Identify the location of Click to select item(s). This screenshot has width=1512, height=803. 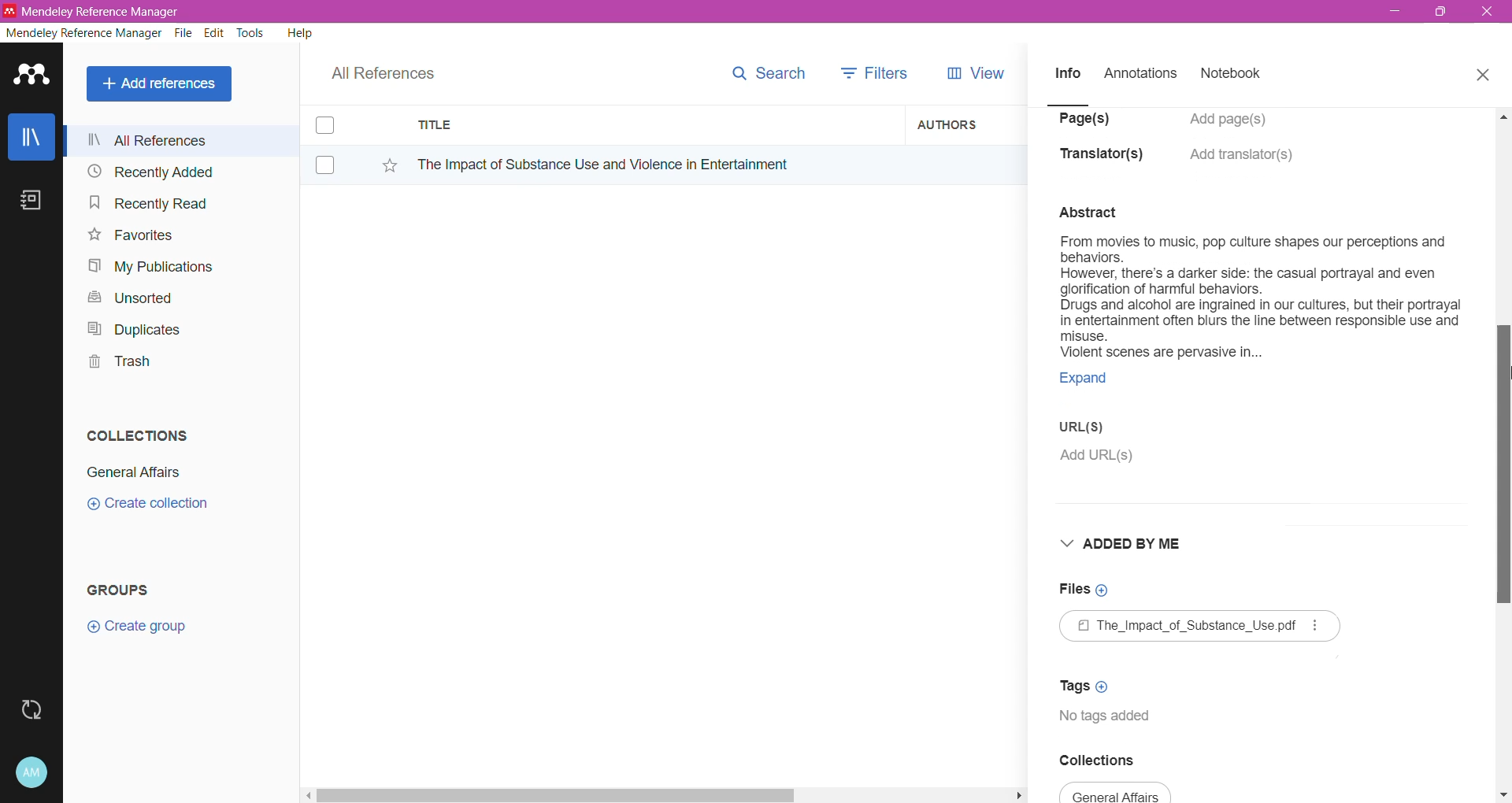
(333, 144).